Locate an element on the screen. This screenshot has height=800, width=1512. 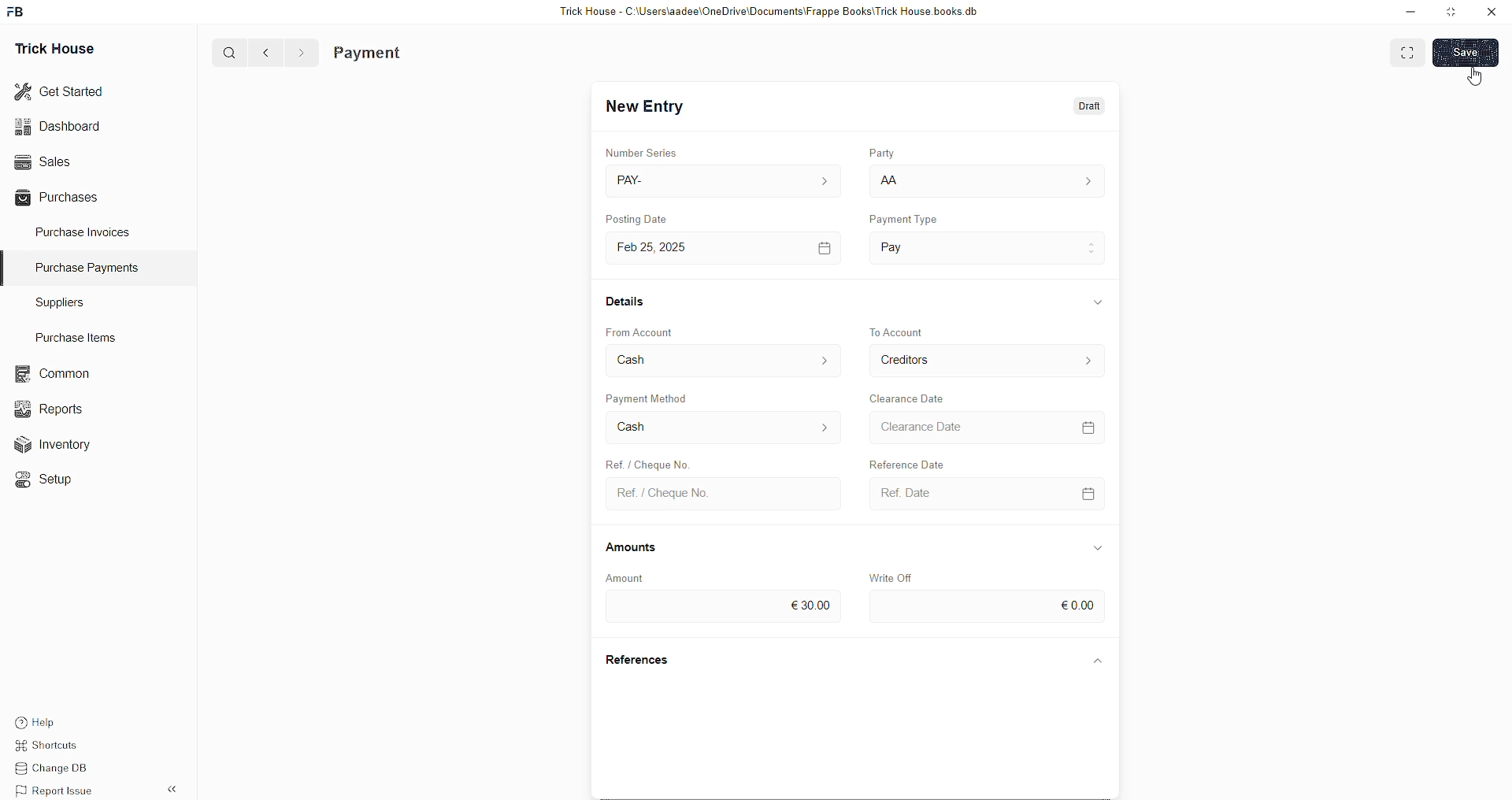
common is located at coordinates (55, 374).